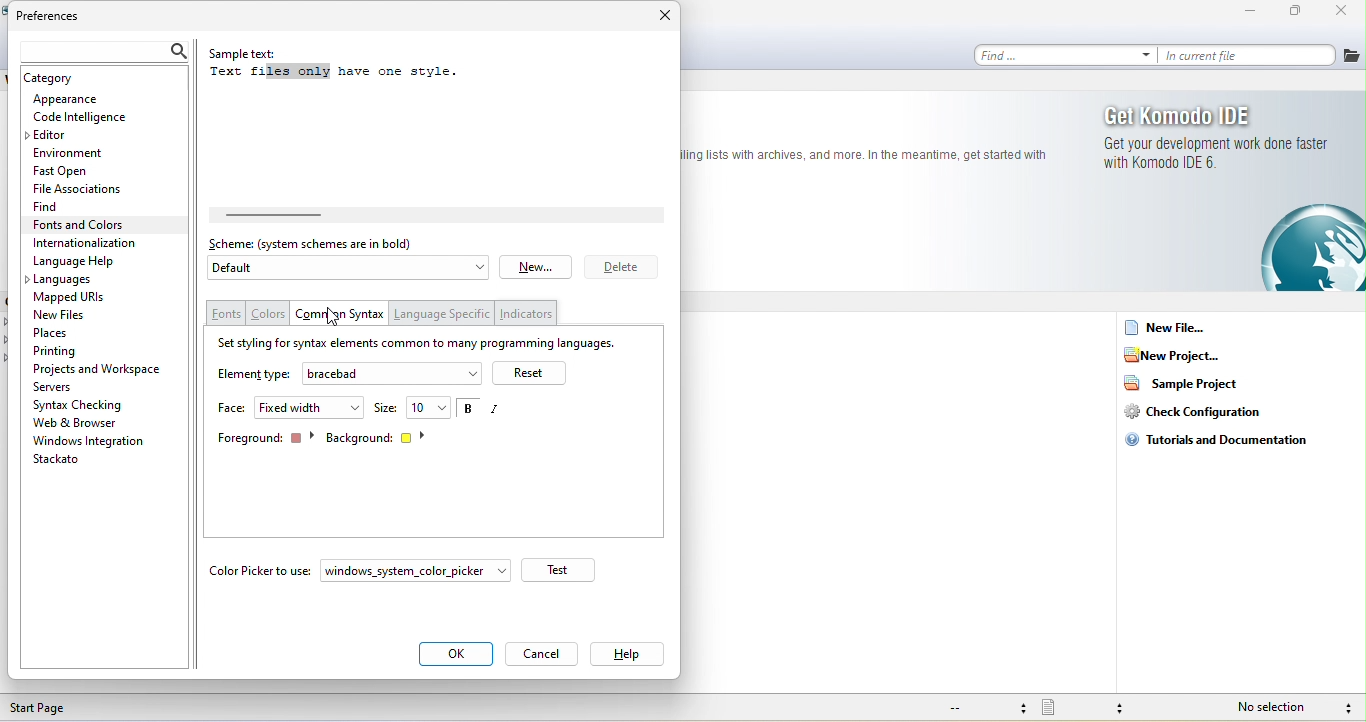 This screenshot has width=1366, height=722. I want to click on in current file, so click(1251, 56).